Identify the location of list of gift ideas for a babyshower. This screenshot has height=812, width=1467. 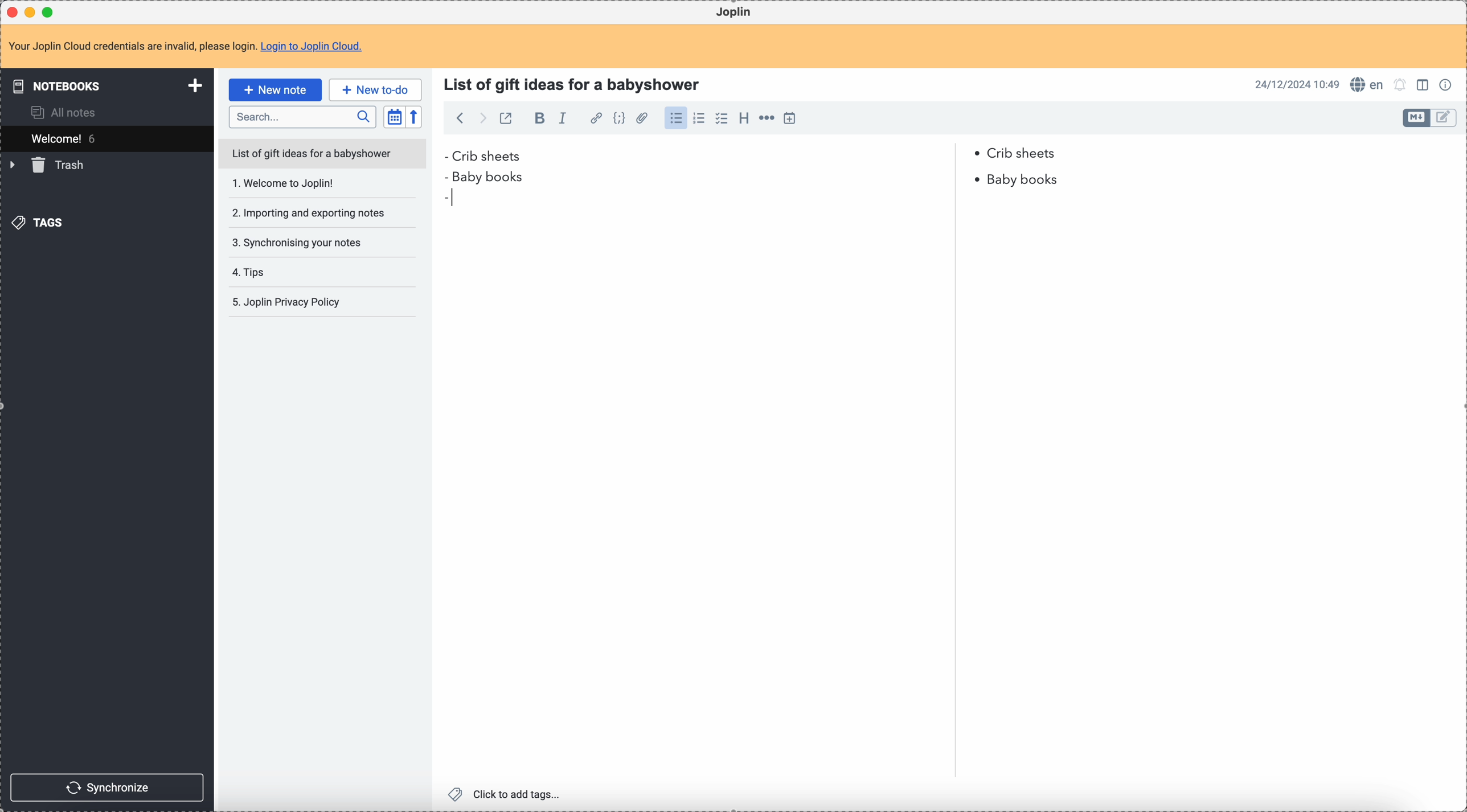
(324, 155).